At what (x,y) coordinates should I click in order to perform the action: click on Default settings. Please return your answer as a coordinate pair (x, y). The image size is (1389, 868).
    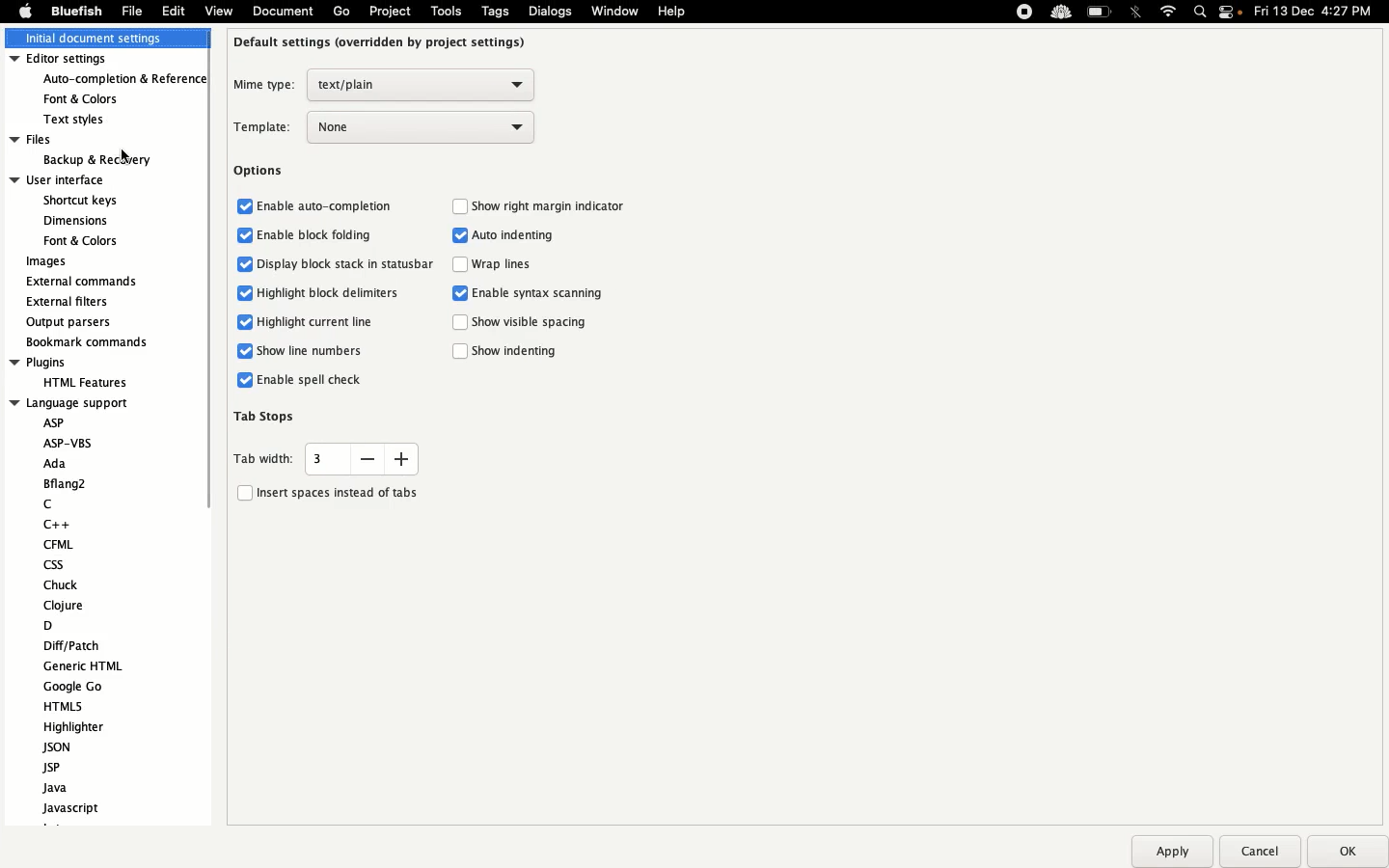
    Looking at the image, I should click on (379, 43).